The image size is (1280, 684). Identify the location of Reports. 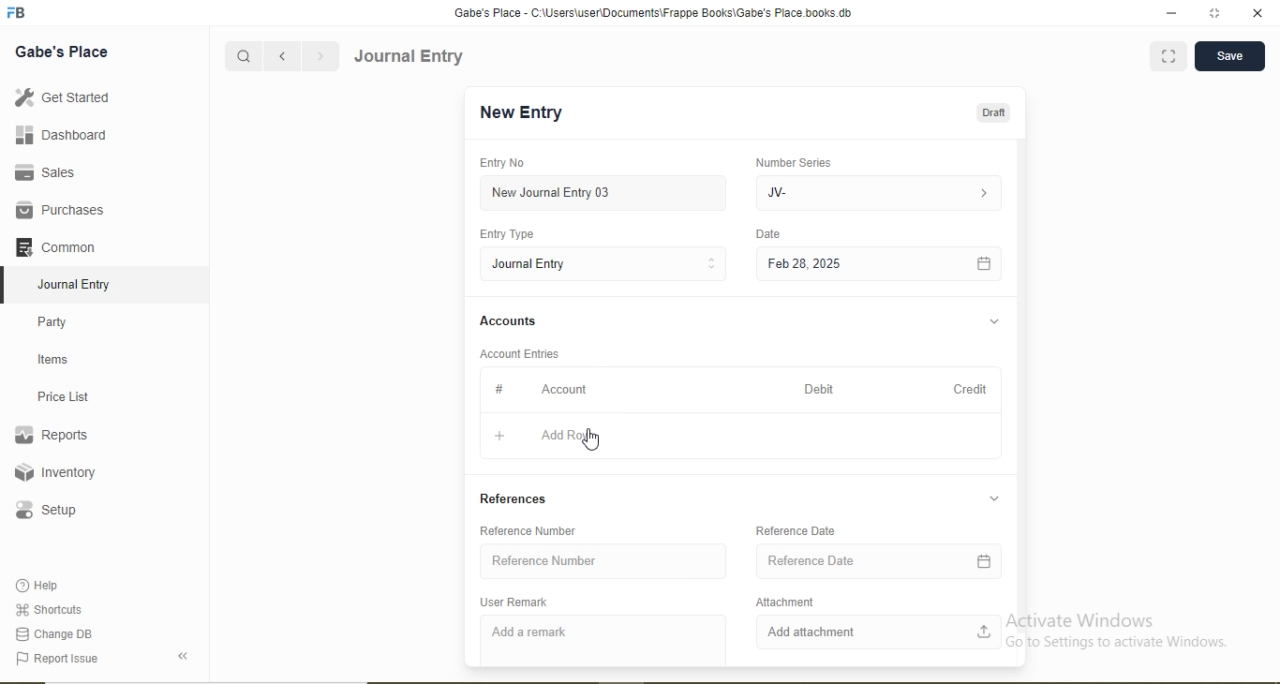
(51, 435).